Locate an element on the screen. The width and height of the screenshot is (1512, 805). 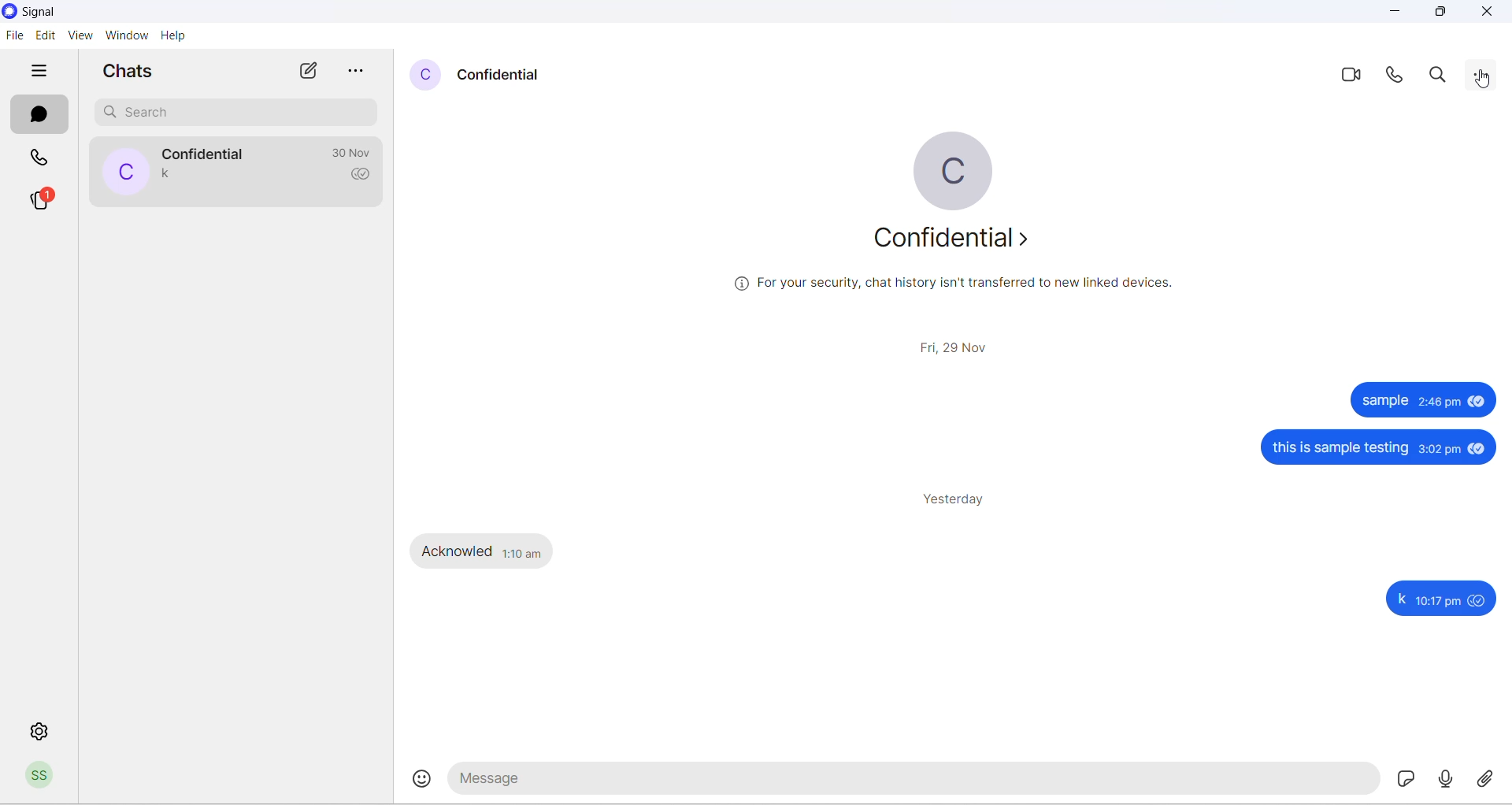
share attachment is located at coordinates (1491, 781).